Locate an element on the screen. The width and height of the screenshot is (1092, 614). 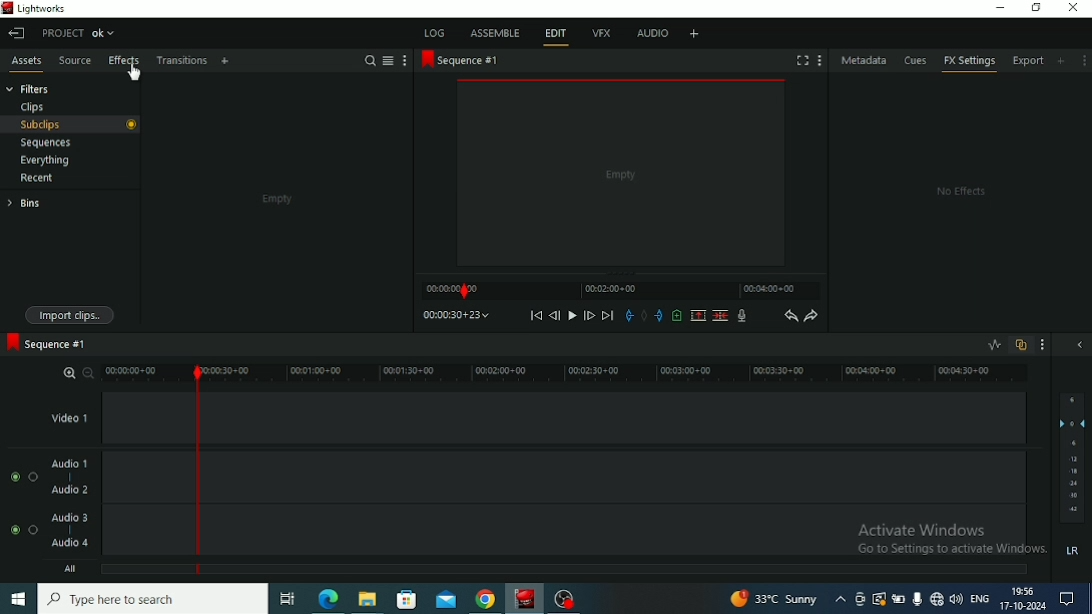
Message is located at coordinates (1072, 599).